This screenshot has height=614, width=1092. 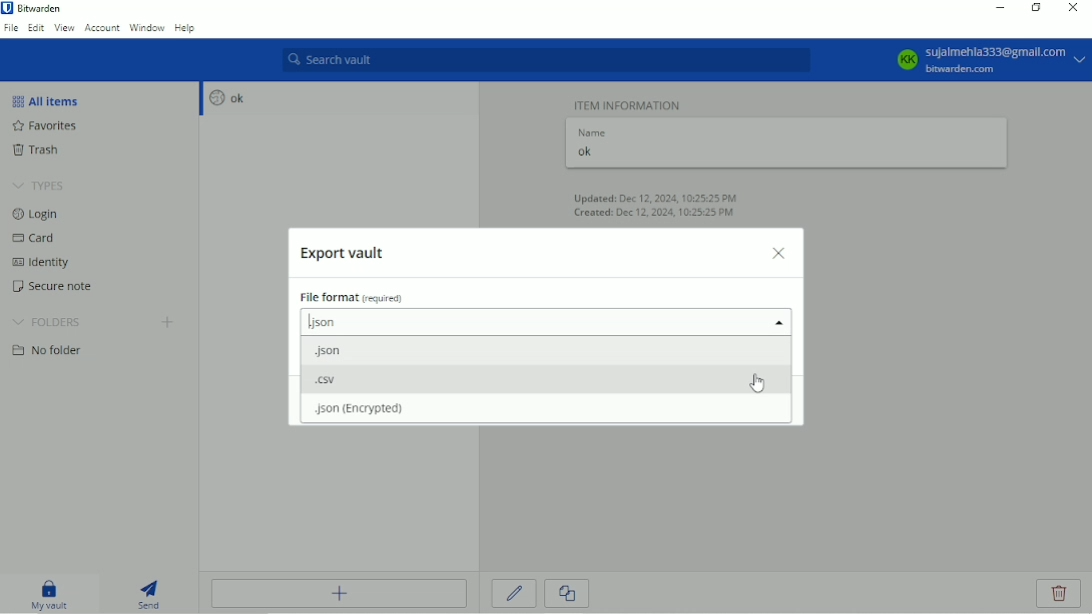 I want to click on Item information, so click(x=629, y=103).